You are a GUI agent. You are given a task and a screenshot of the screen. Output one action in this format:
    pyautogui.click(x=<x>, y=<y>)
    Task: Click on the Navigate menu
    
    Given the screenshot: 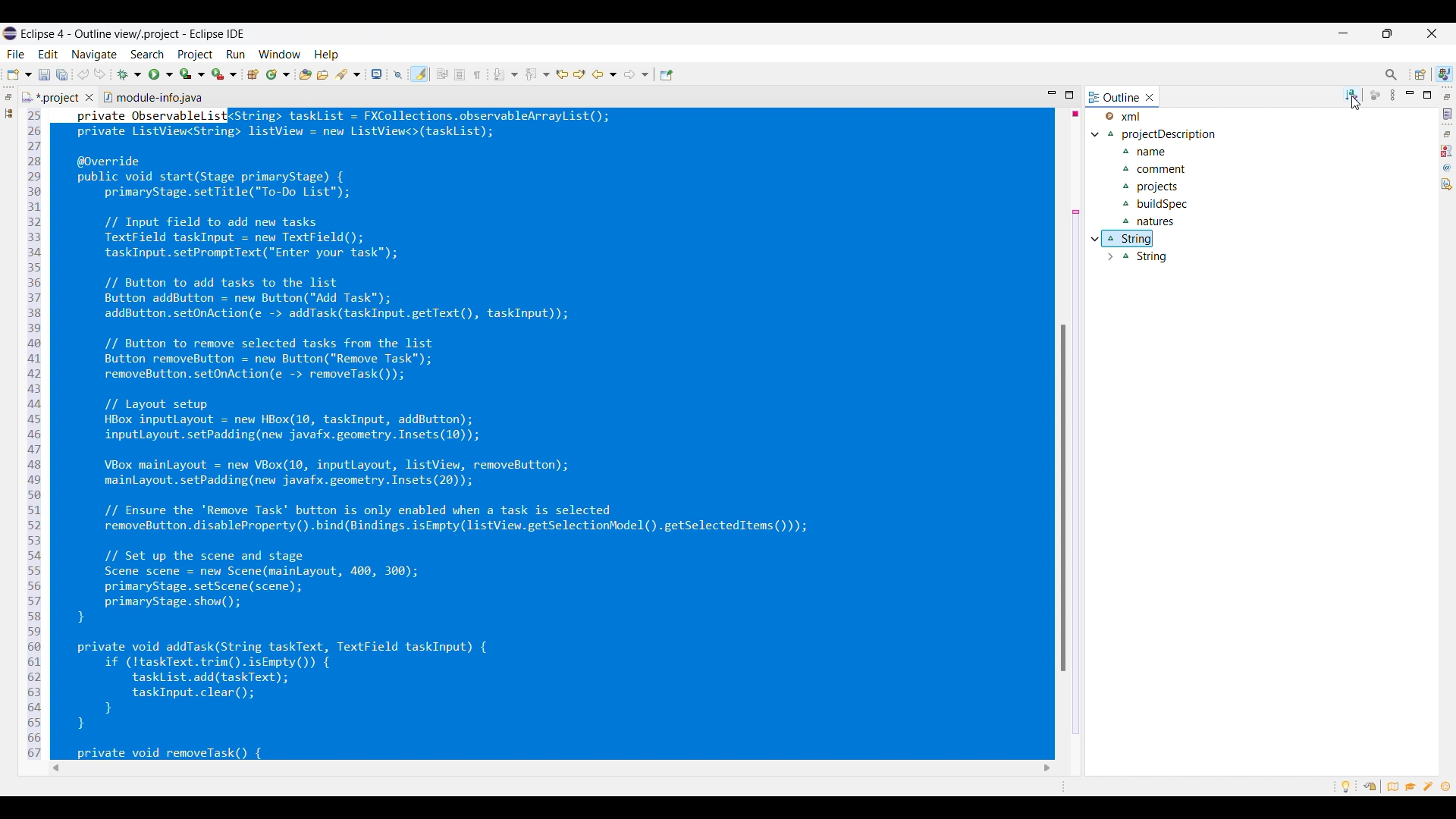 What is the action you would take?
    pyautogui.click(x=94, y=55)
    